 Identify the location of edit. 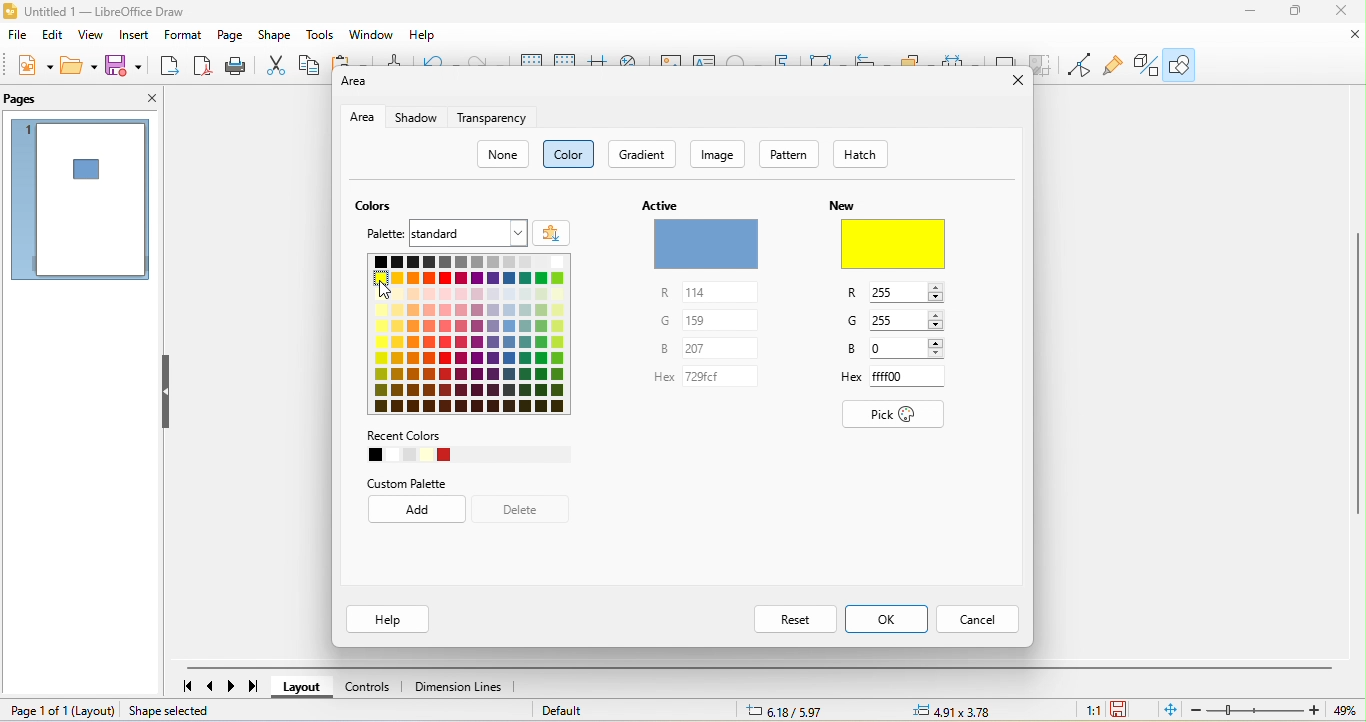
(54, 36).